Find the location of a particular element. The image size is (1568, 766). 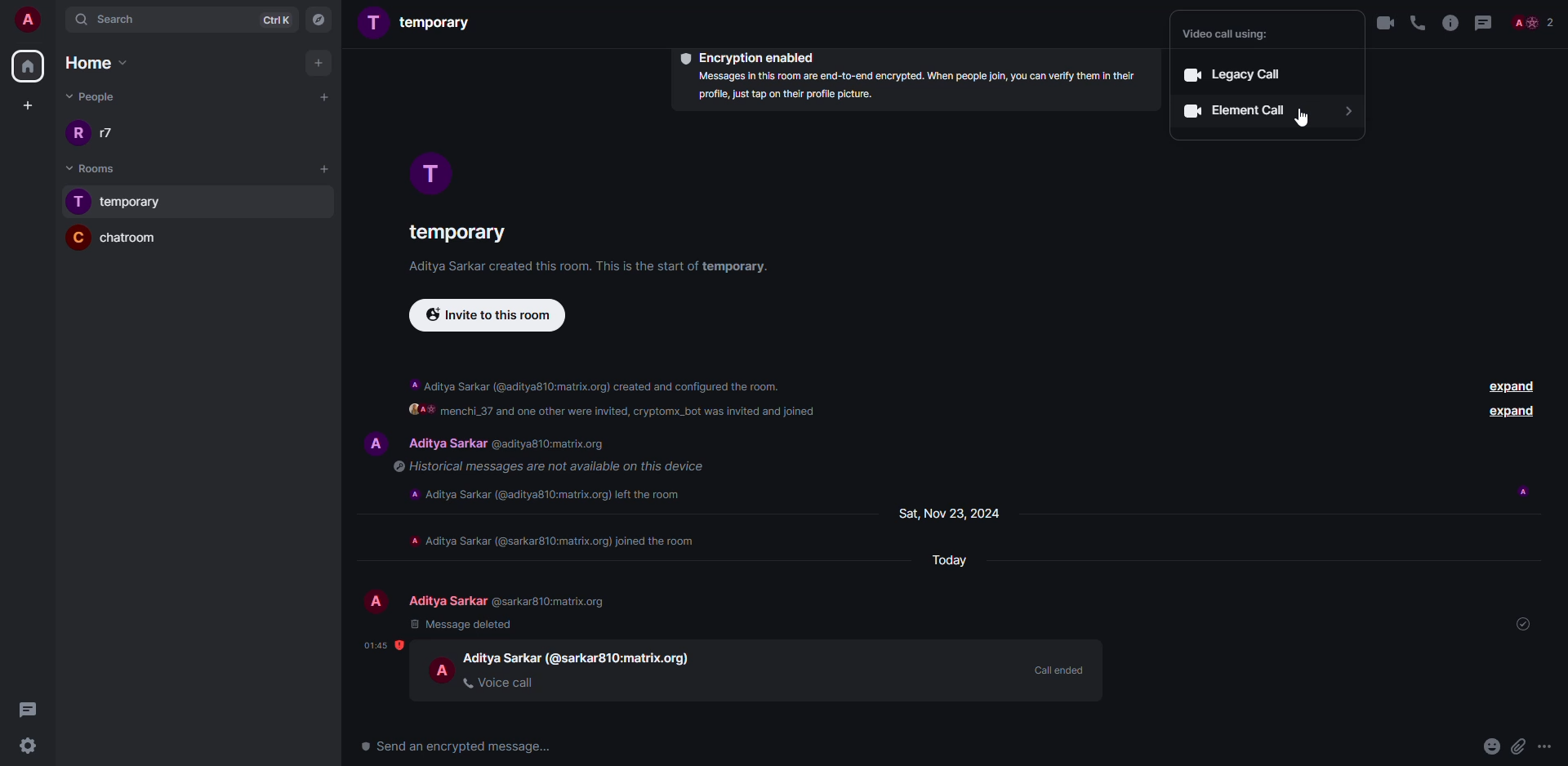

emoji is located at coordinates (1490, 746).